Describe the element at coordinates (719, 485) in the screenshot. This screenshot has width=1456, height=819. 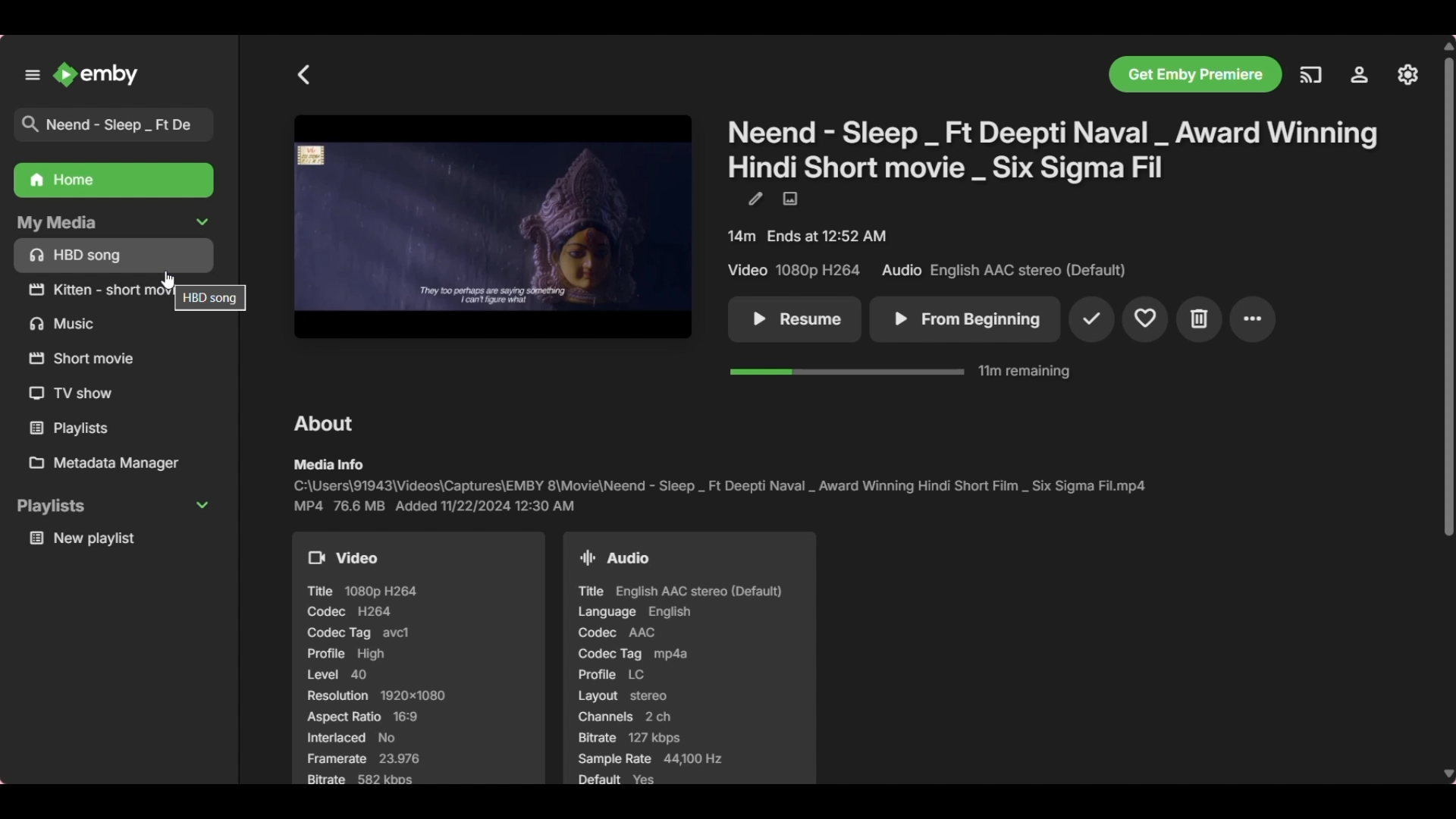
I see `Pathway and name of movie file` at that location.